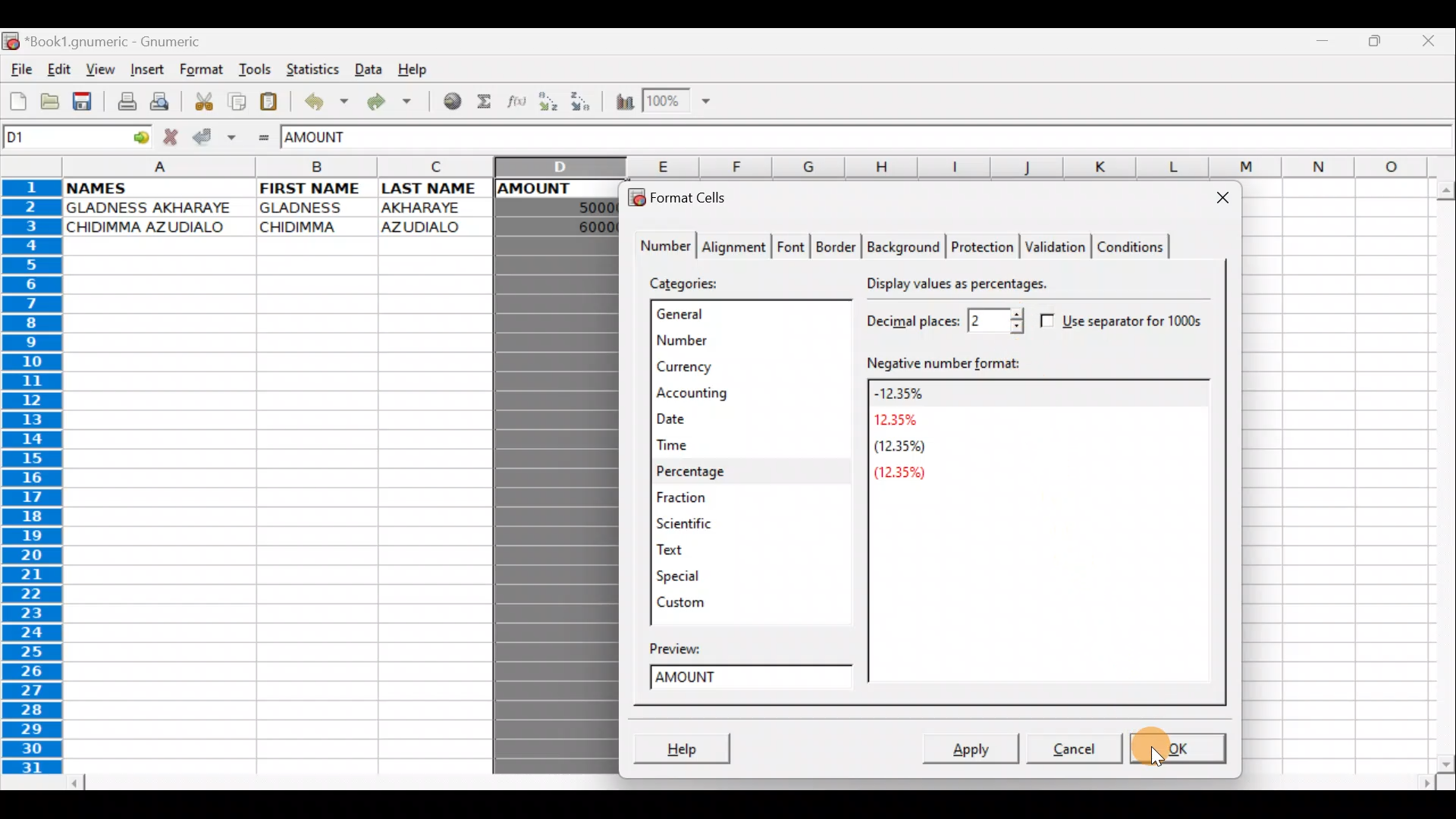 This screenshot has height=819, width=1456. What do you see at coordinates (687, 550) in the screenshot?
I see `Text` at bounding box center [687, 550].